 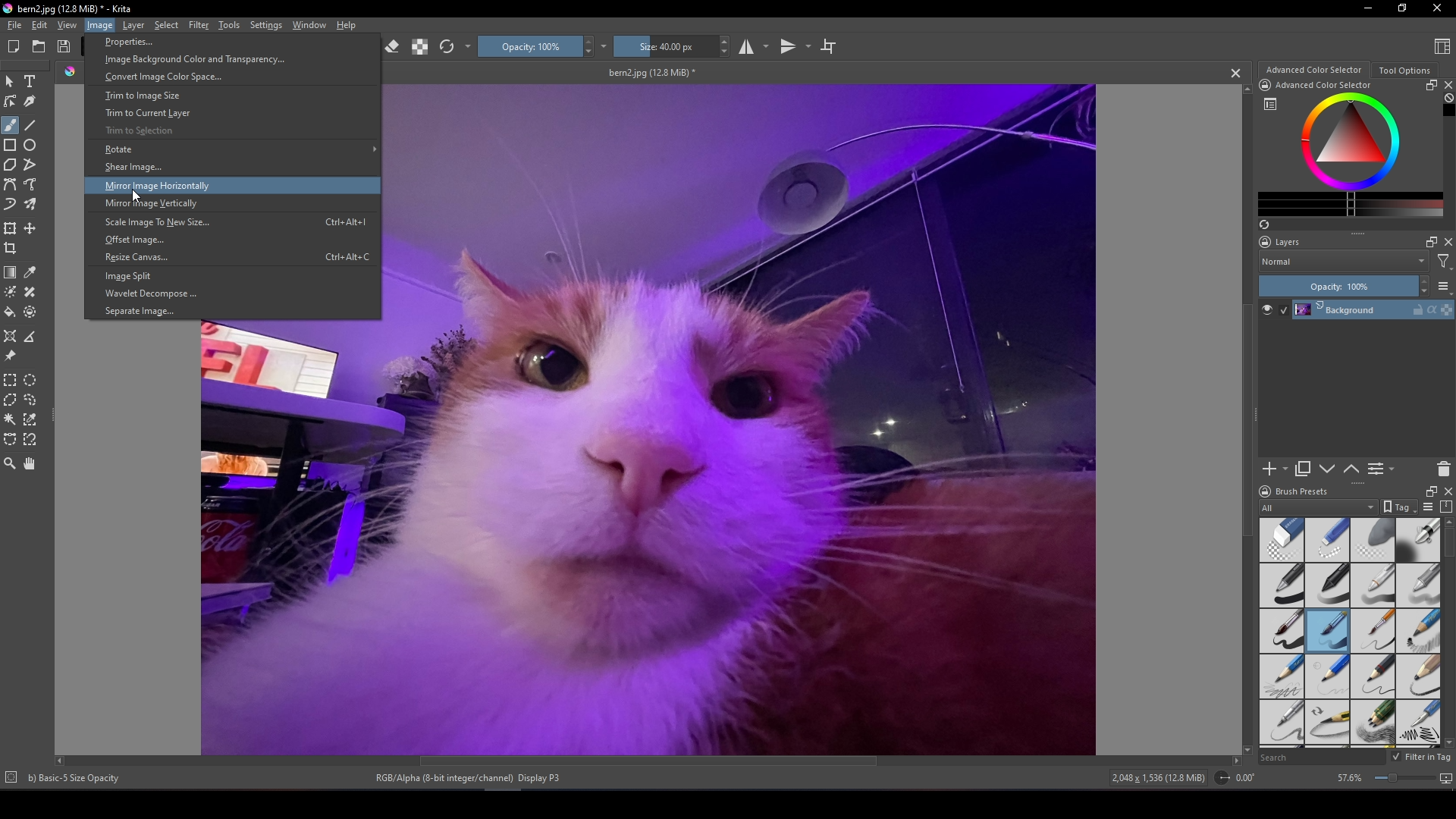 What do you see at coordinates (1394, 778) in the screenshot?
I see `zoom factor` at bounding box center [1394, 778].